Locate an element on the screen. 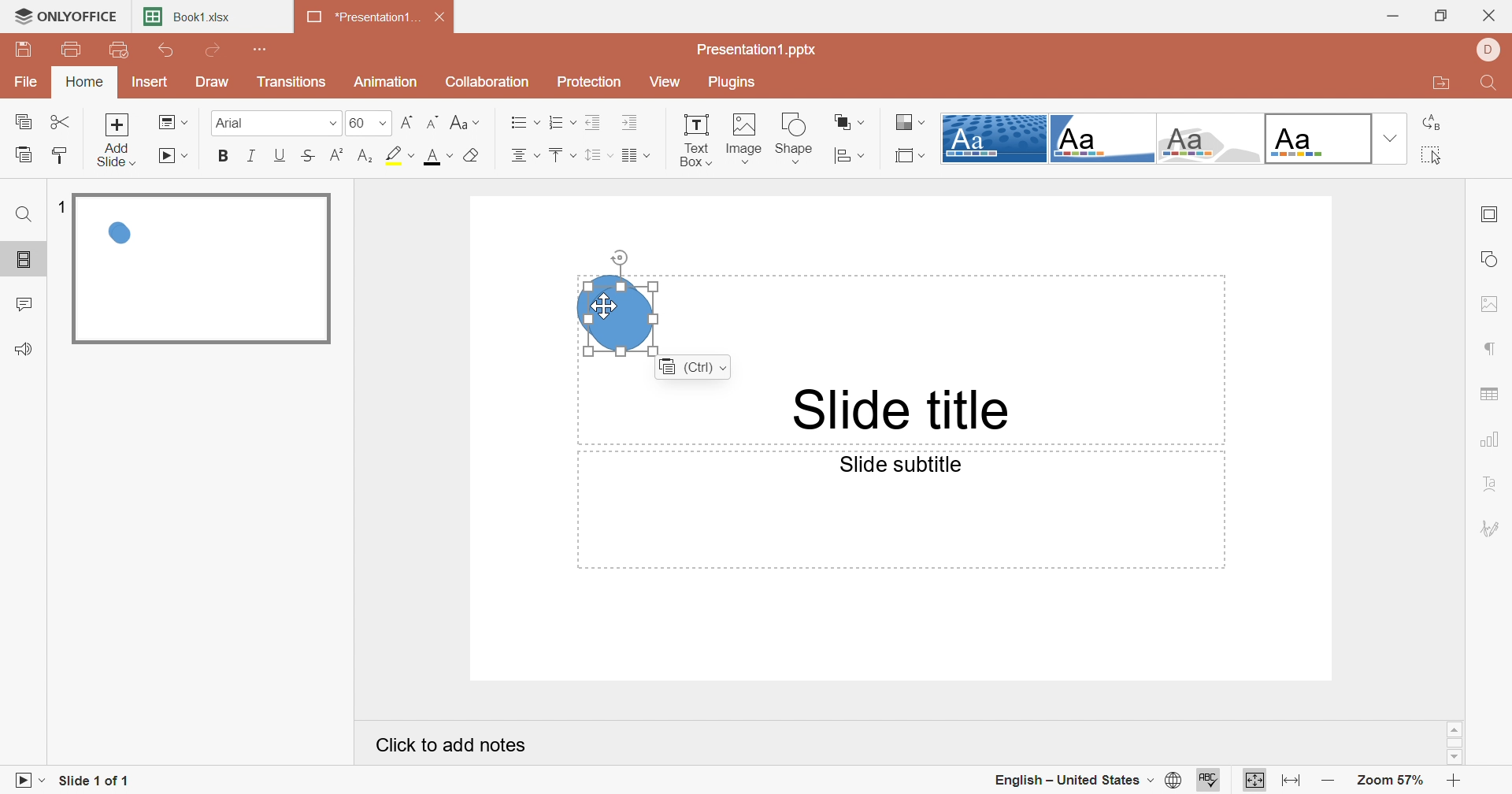 This screenshot has height=794, width=1512. English - United States is located at coordinates (1073, 781).